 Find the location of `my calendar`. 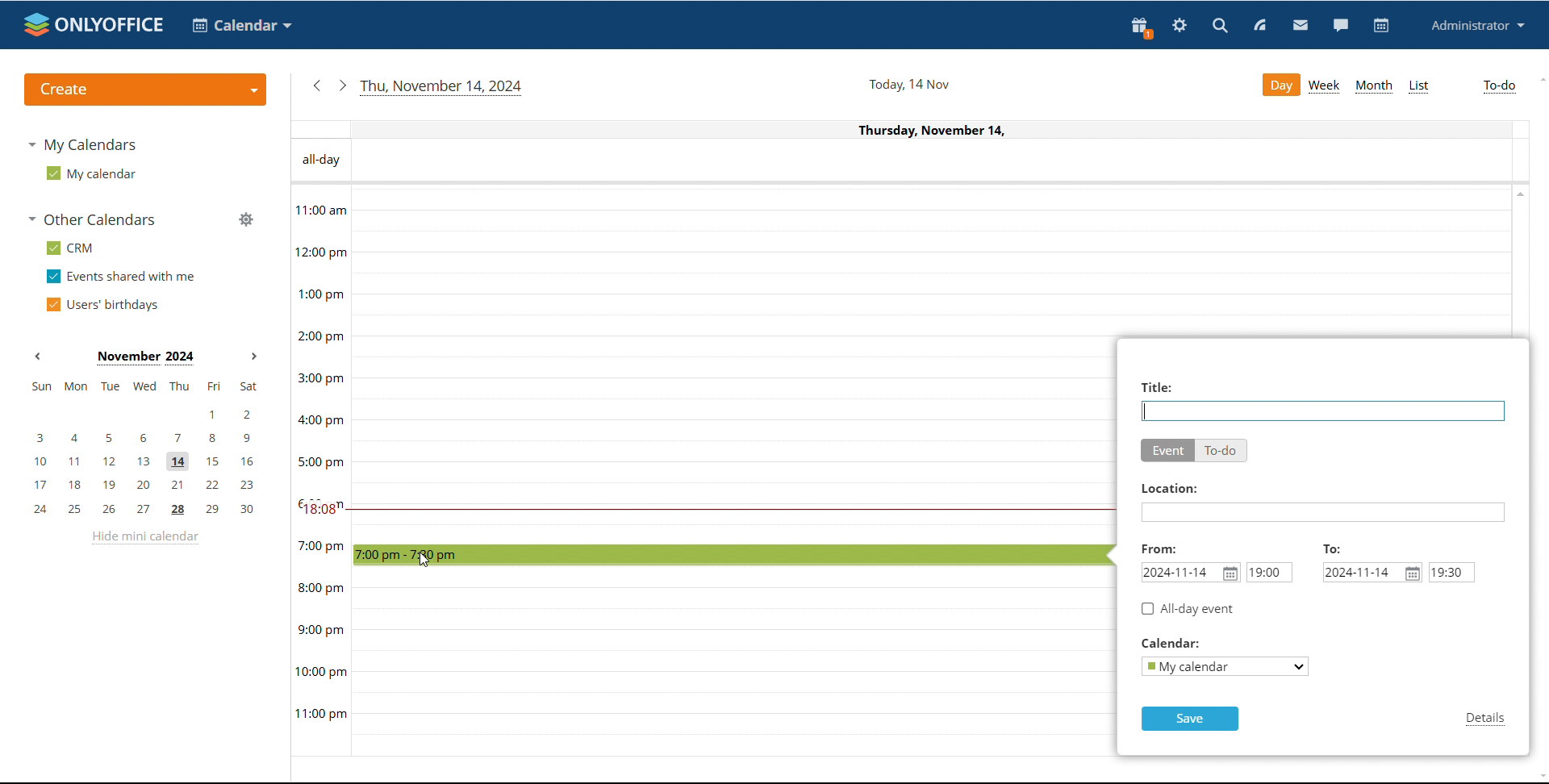

my calendar is located at coordinates (90, 174).